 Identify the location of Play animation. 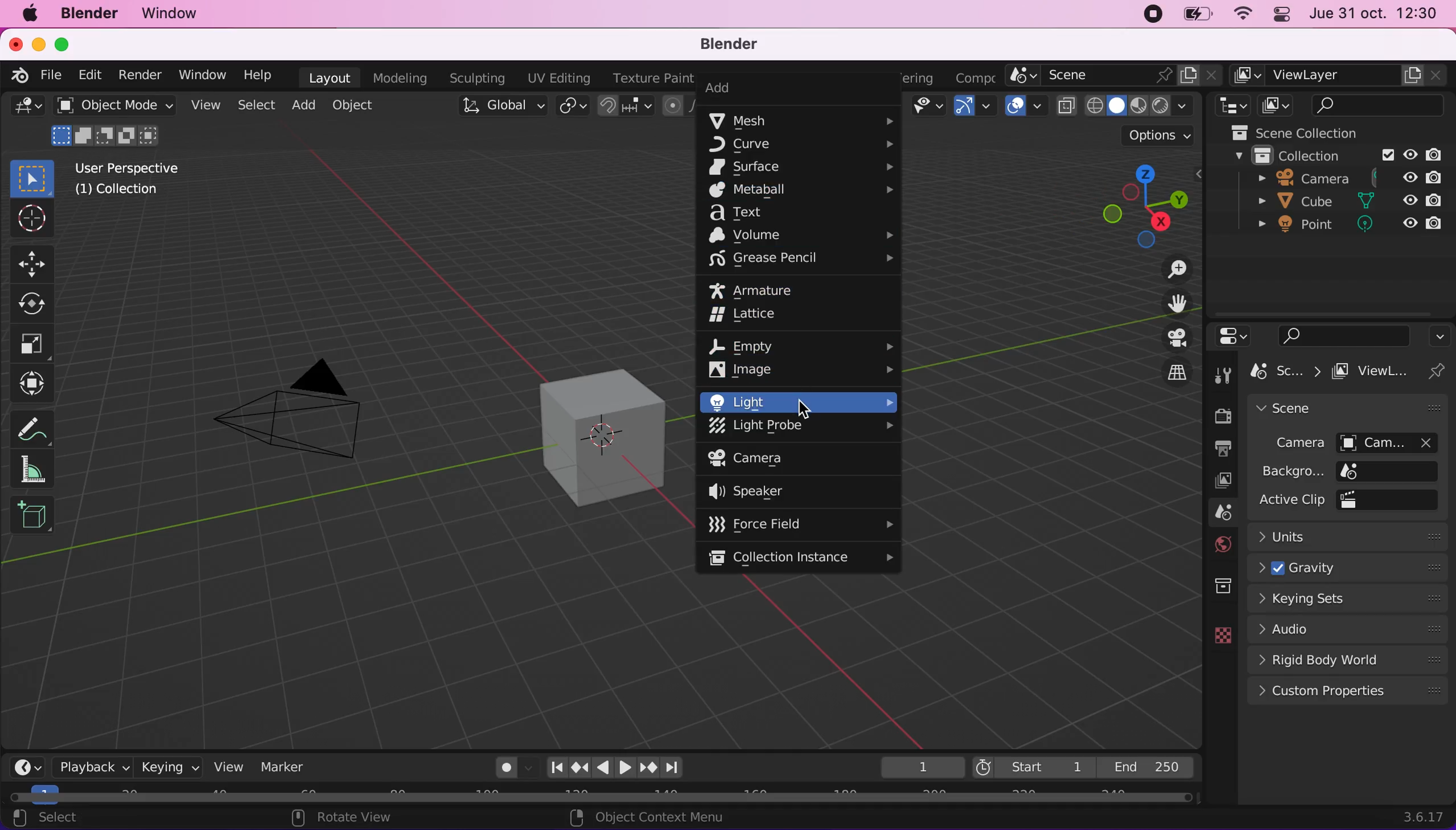
(601, 770).